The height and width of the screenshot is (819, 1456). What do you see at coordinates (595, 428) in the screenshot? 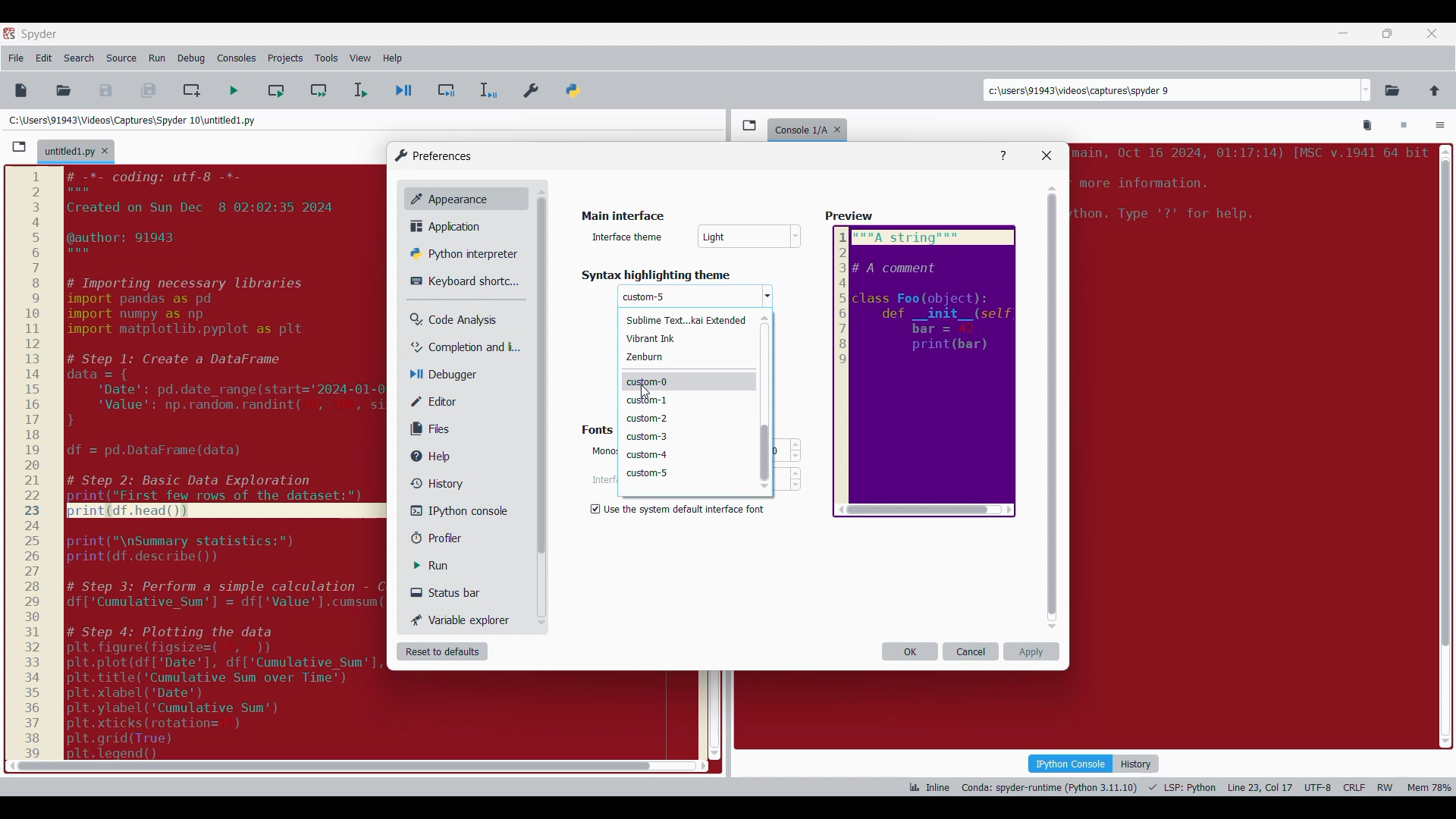
I see `fonts` at bounding box center [595, 428].